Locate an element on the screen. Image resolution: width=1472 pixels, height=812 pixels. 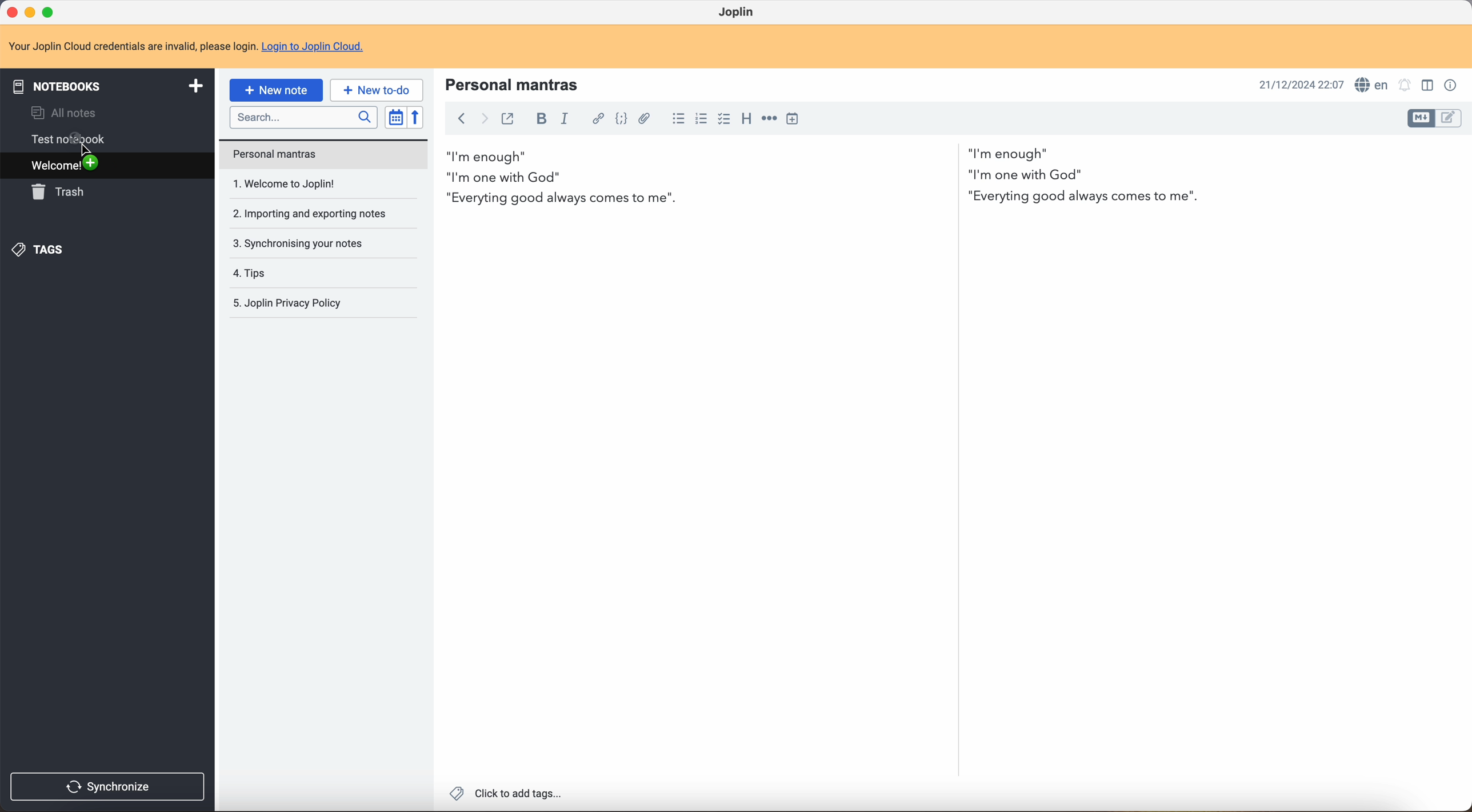
foward is located at coordinates (485, 118).